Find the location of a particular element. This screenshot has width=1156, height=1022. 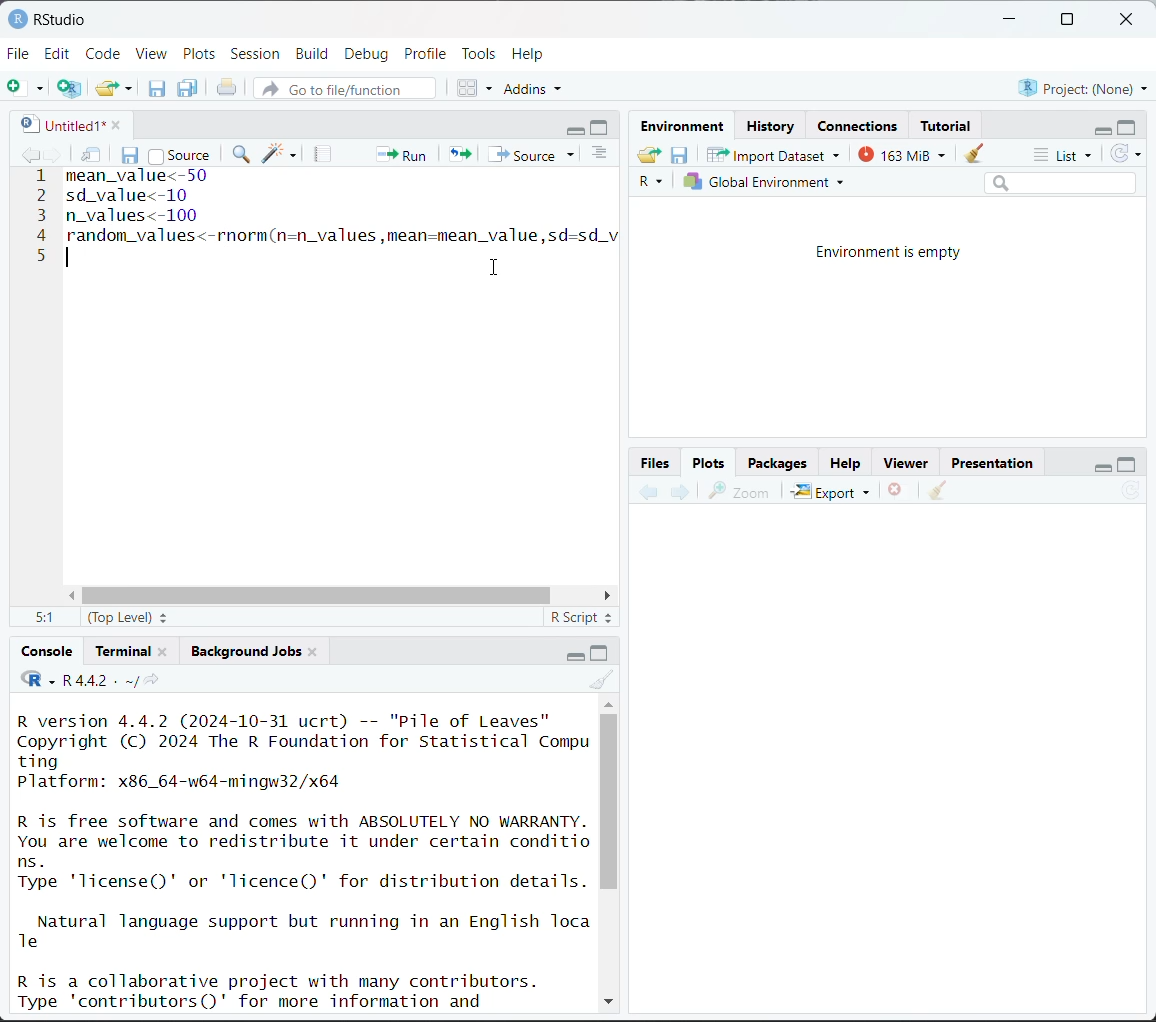

cursor is located at coordinates (496, 265).